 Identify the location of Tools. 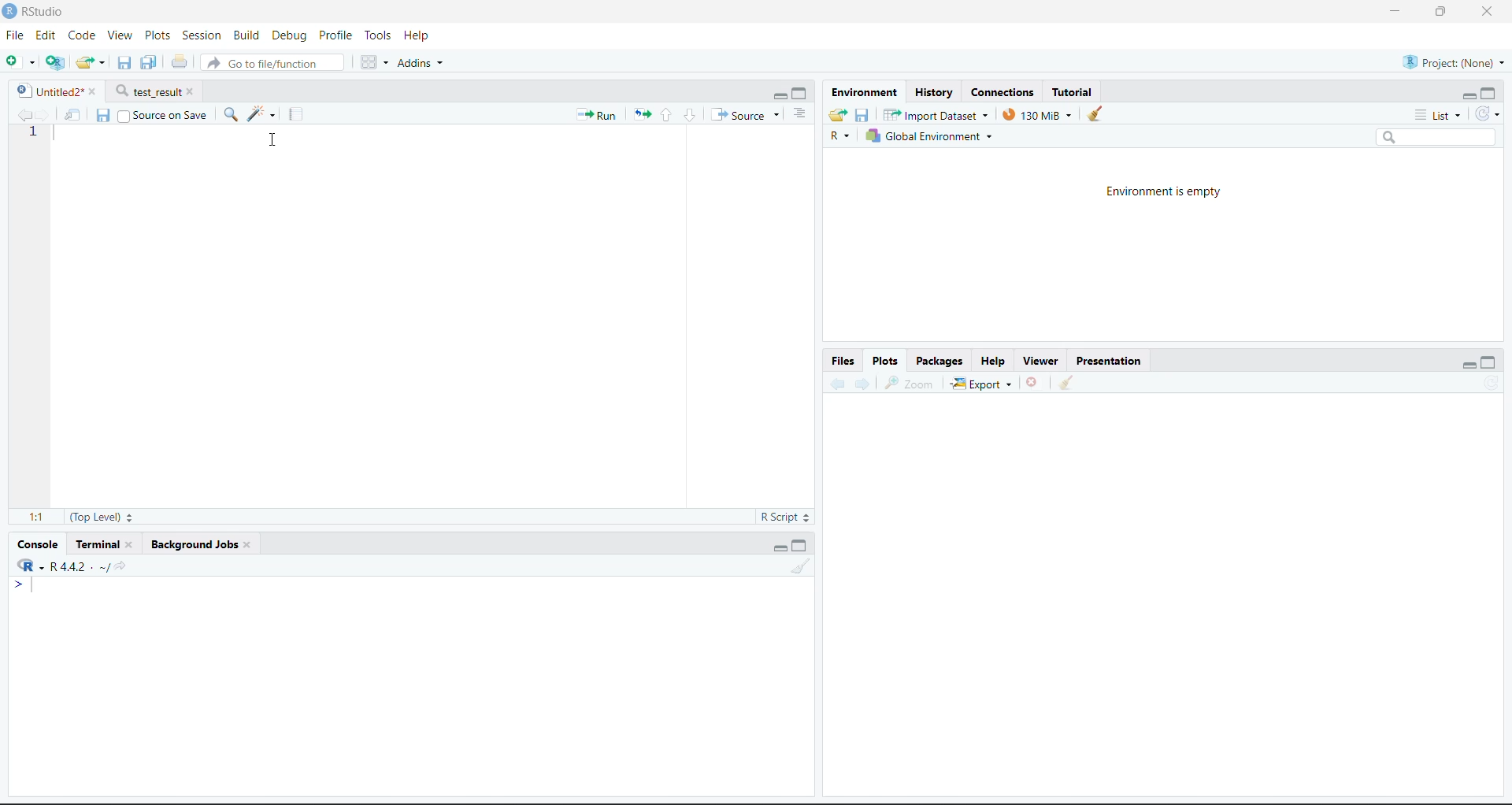
(377, 34).